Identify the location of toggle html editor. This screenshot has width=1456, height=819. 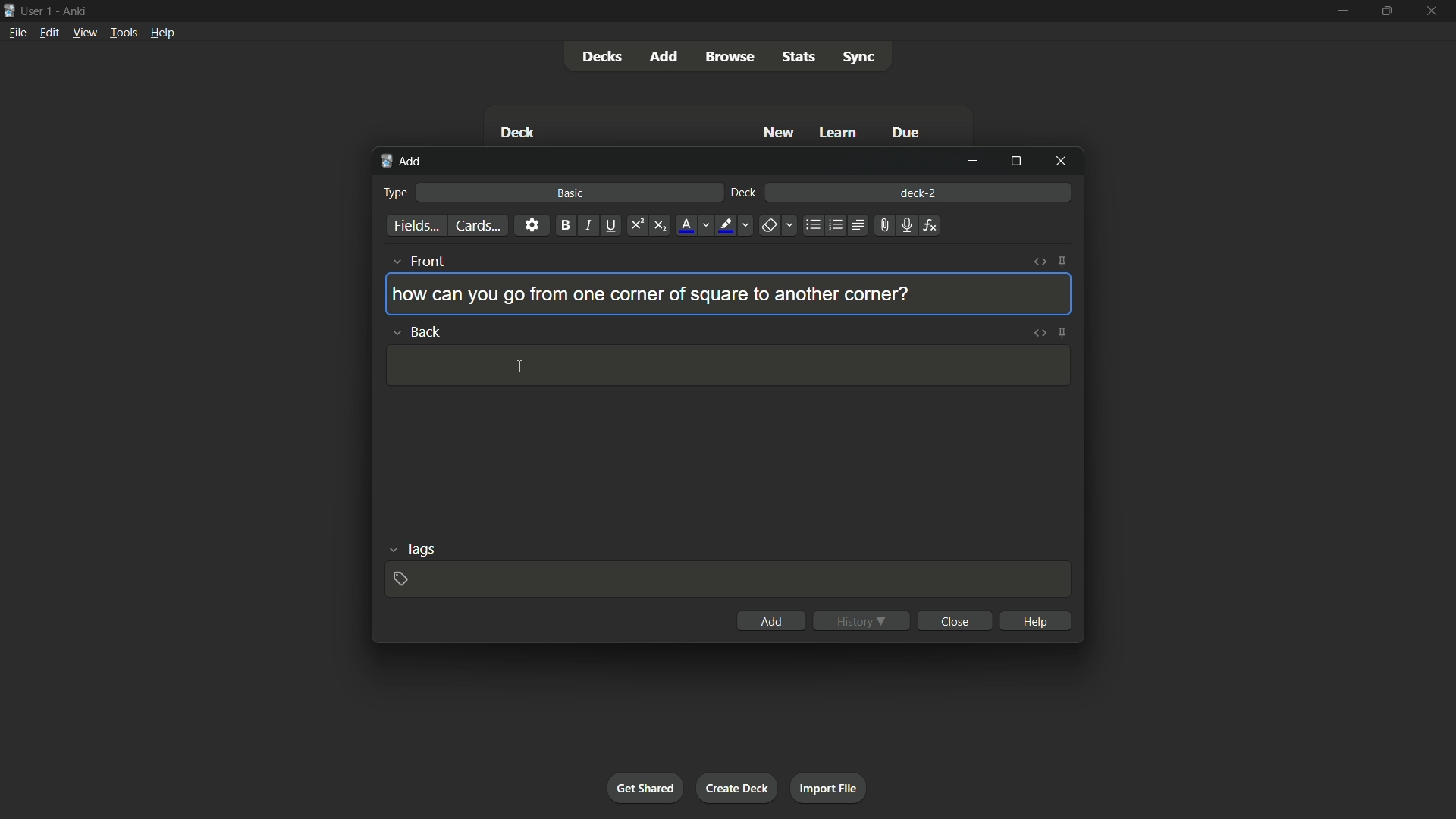
(1040, 331).